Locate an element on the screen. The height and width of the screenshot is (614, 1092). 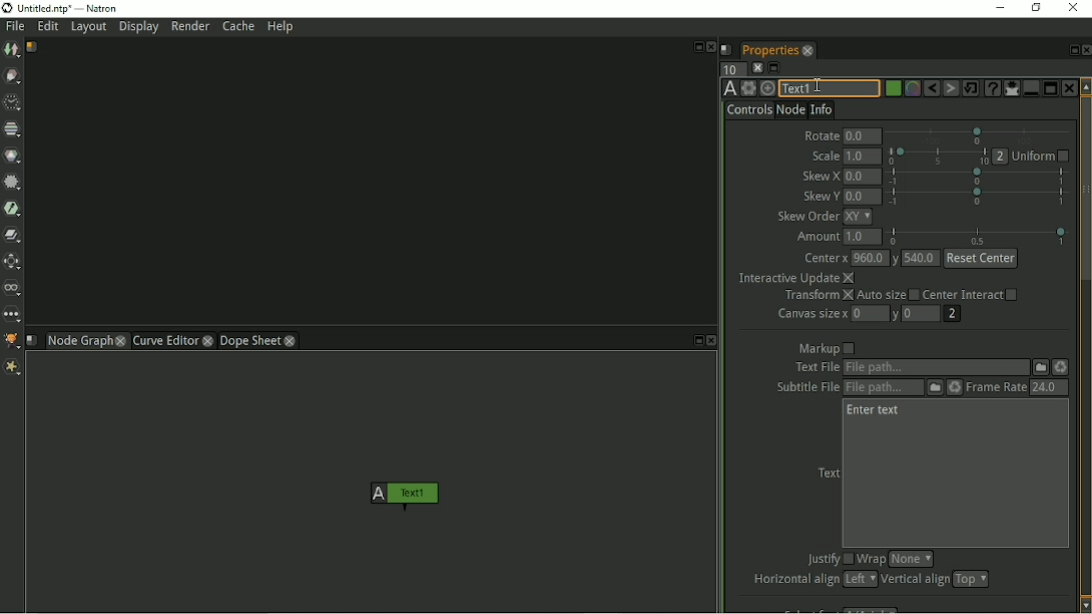
Close is located at coordinates (1072, 8).